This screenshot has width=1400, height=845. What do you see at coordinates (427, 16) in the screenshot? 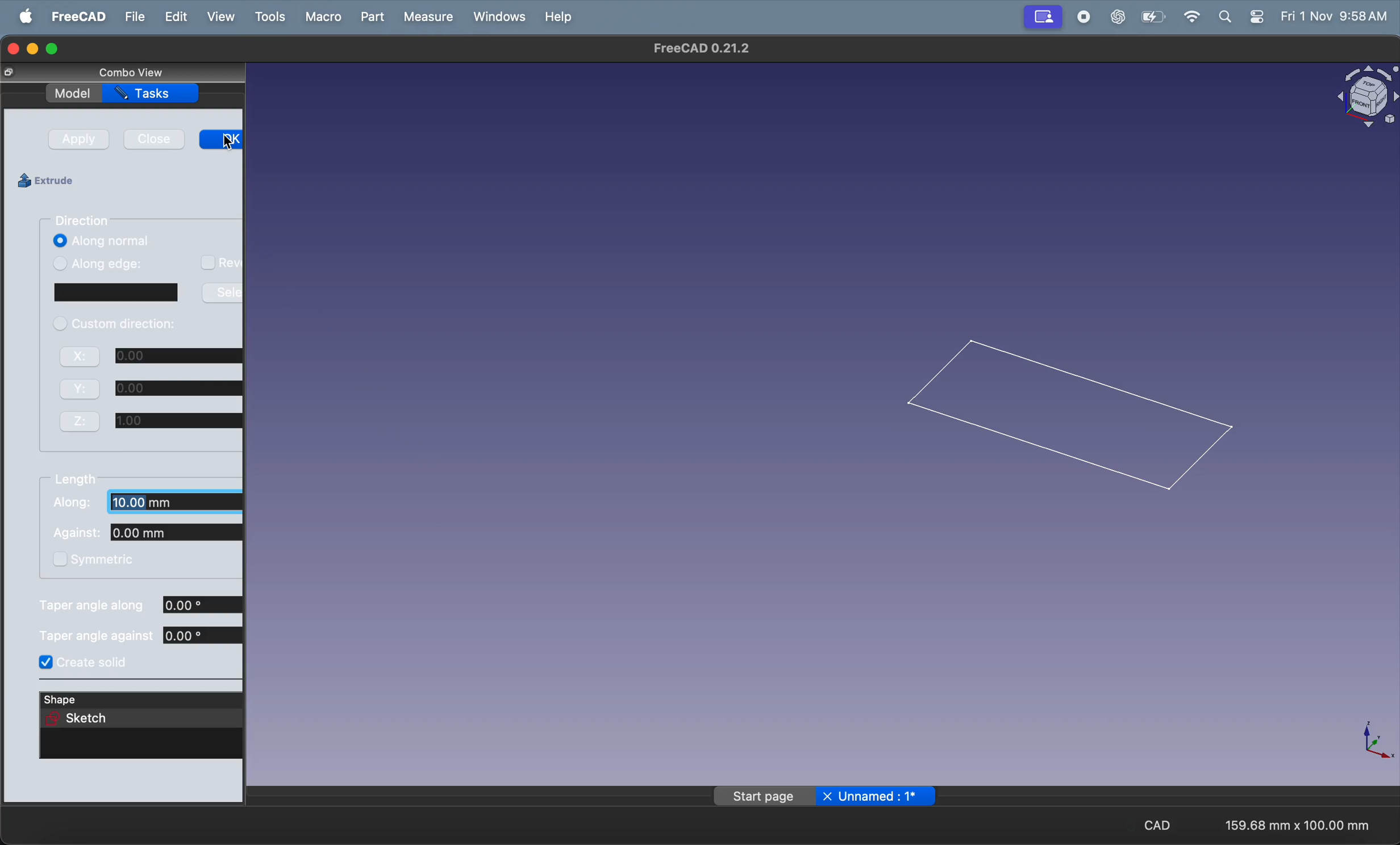
I see `measure` at bounding box center [427, 16].